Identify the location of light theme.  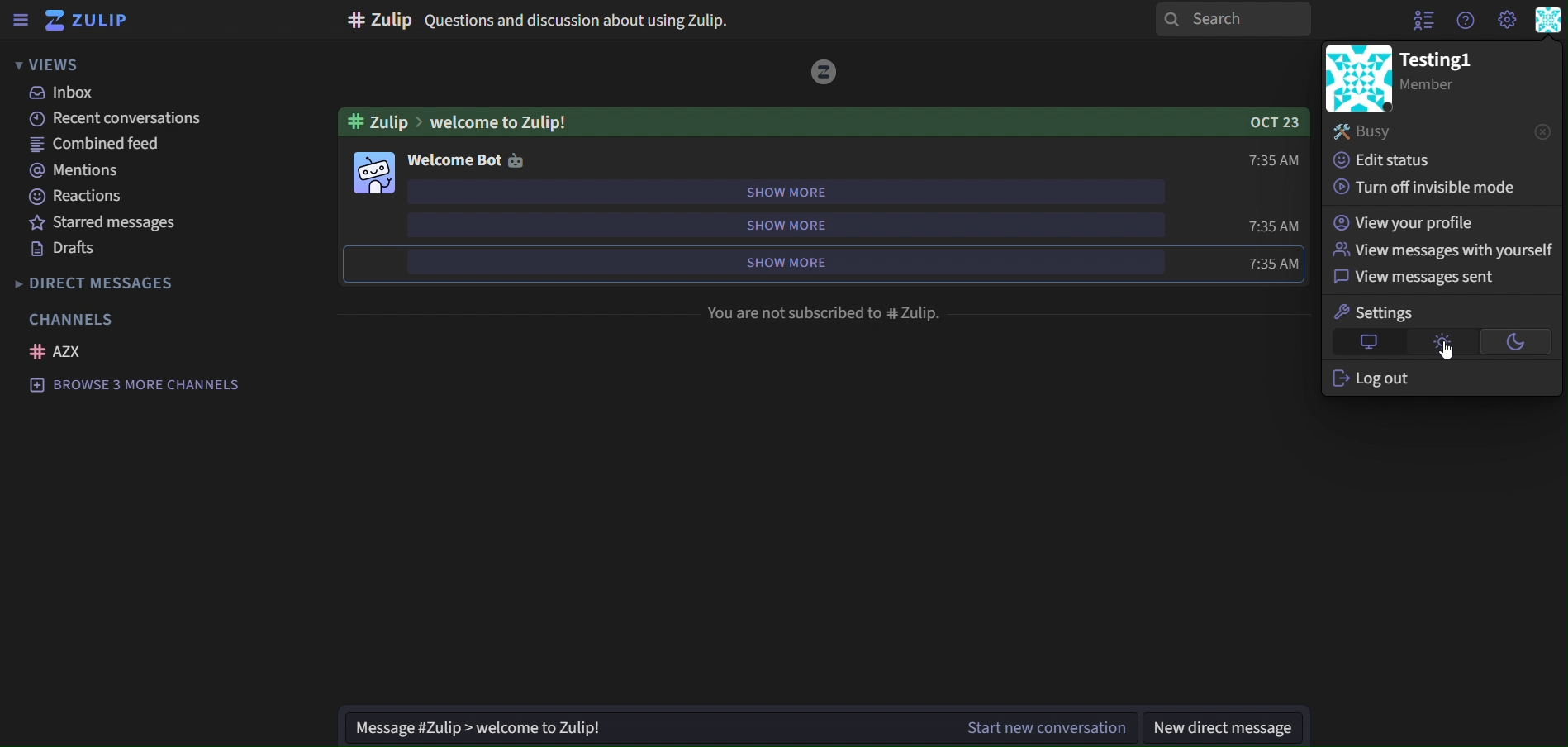
(1443, 343).